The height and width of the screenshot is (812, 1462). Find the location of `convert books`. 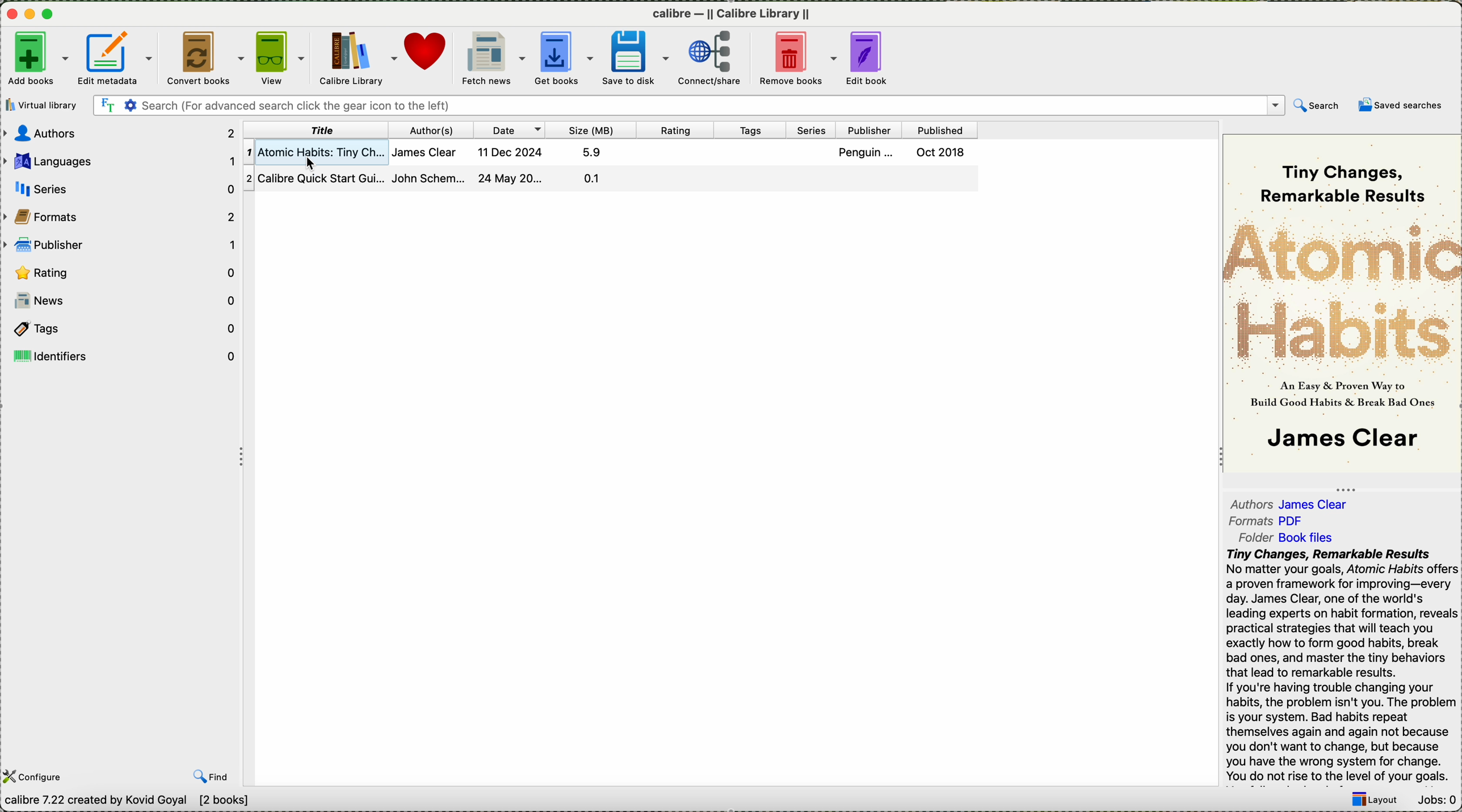

convert books is located at coordinates (207, 58).